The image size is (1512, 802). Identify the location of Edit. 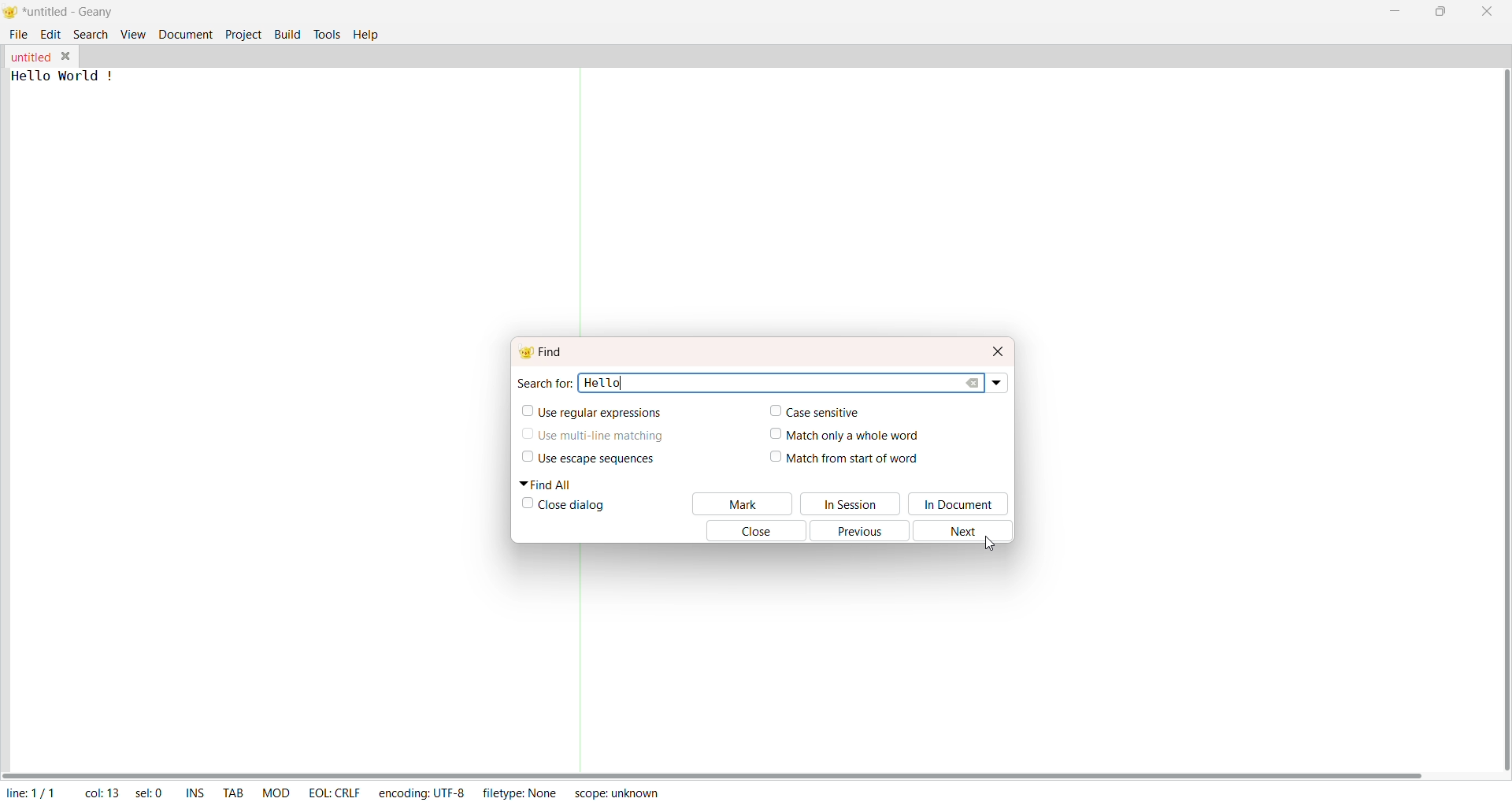
(51, 35).